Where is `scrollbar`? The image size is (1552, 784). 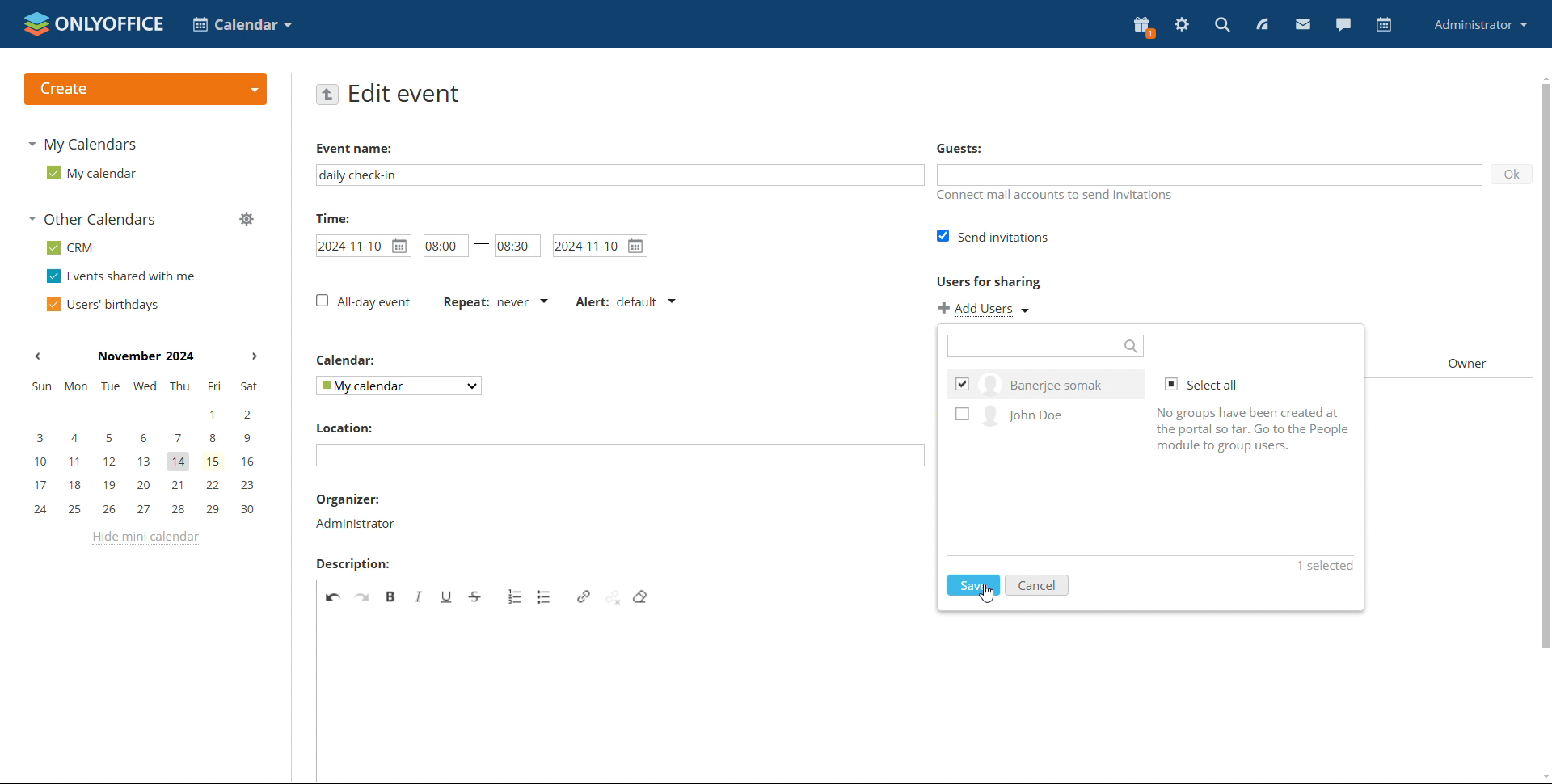 scrollbar is located at coordinates (1542, 377).